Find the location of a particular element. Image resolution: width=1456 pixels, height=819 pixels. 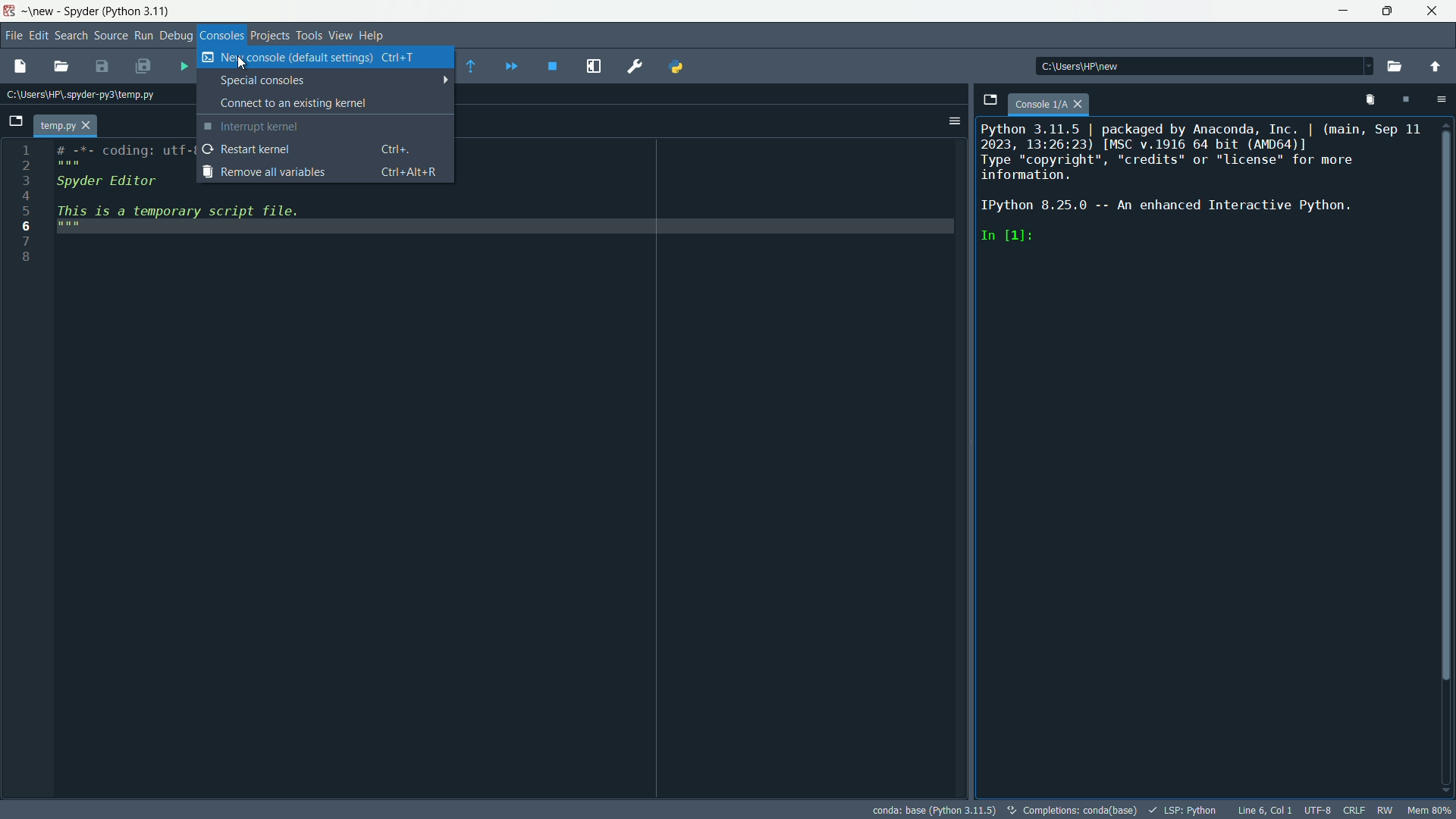

change to parent directory is located at coordinates (1437, 69).